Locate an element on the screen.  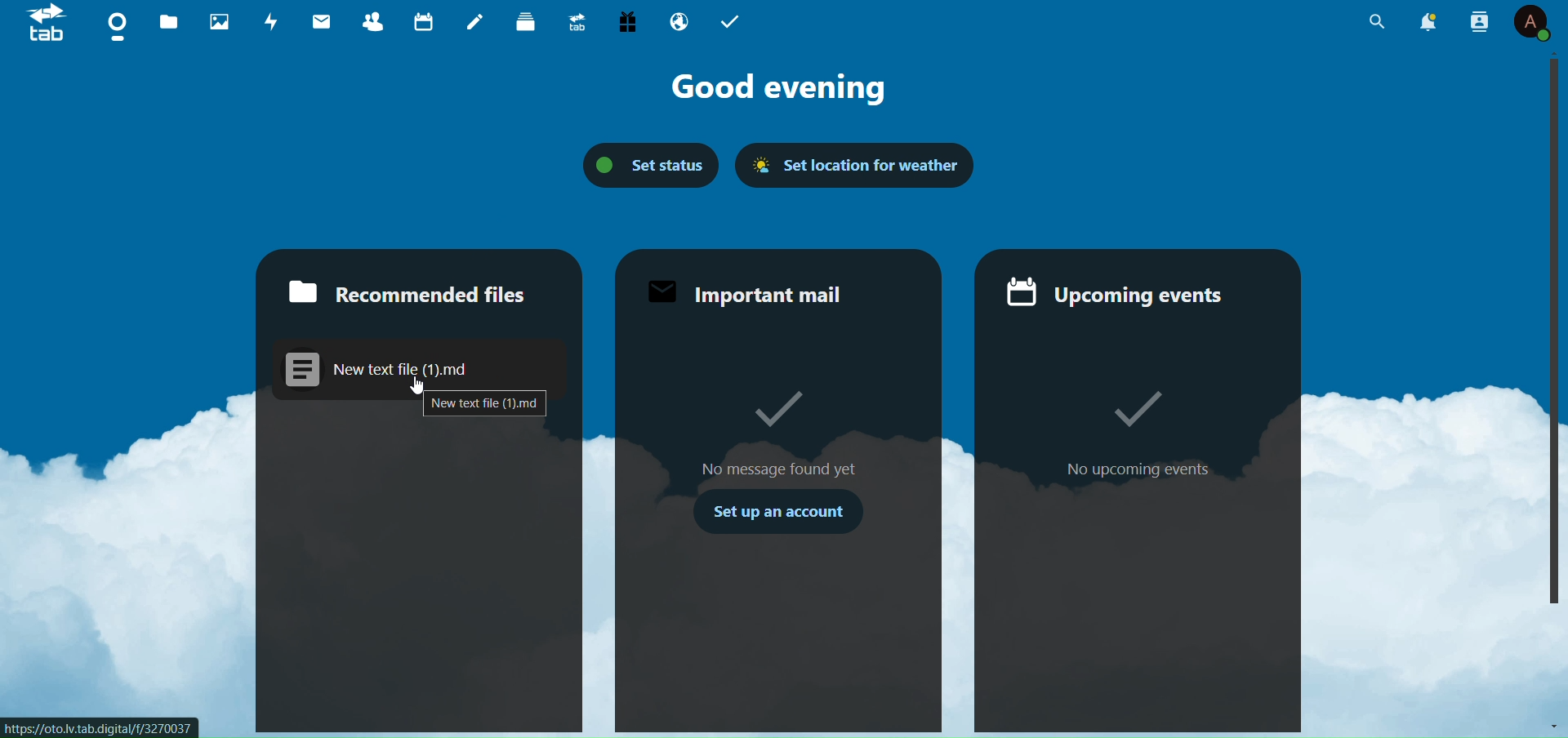
upgrade is located at coordinates (580, 20).